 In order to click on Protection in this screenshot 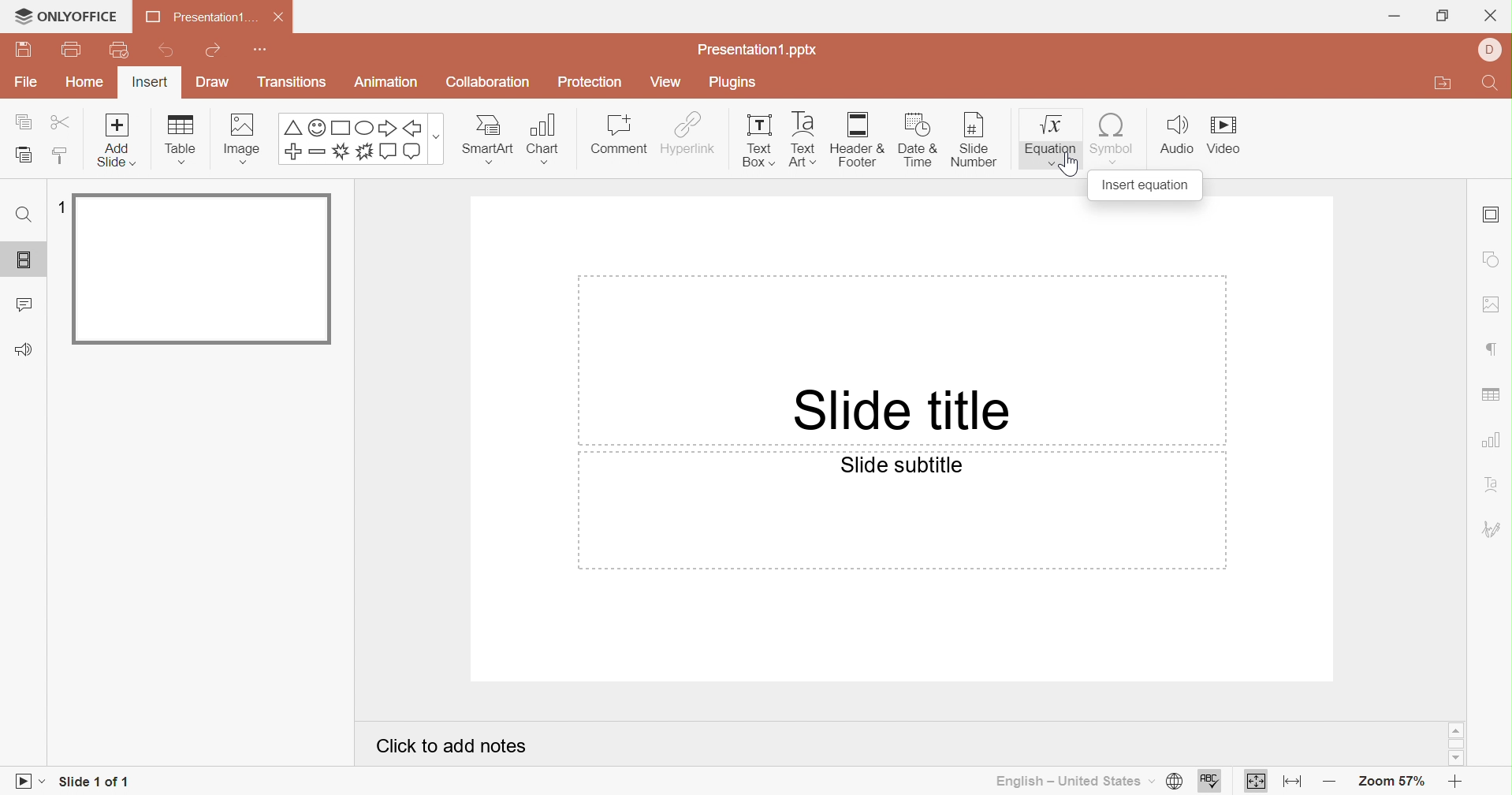, I will do `click(594, 84)`.